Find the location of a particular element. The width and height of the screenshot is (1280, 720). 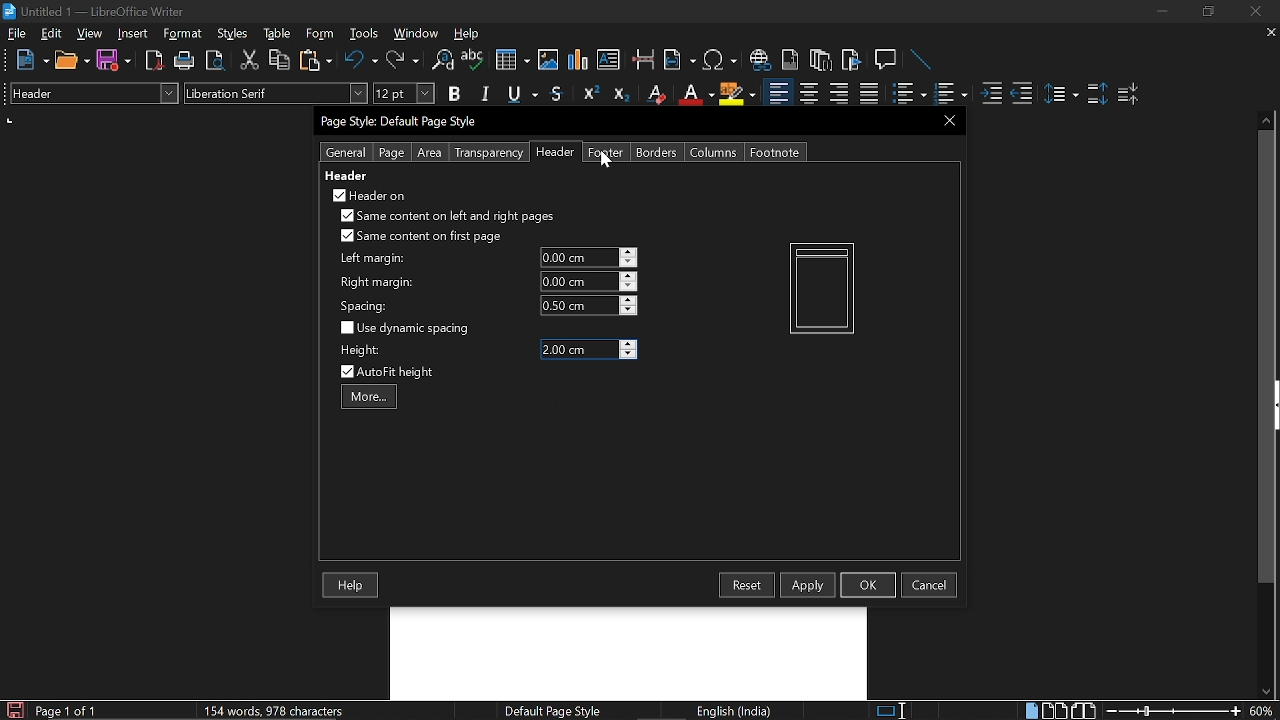

Cut is located at coordinates (250, 60).